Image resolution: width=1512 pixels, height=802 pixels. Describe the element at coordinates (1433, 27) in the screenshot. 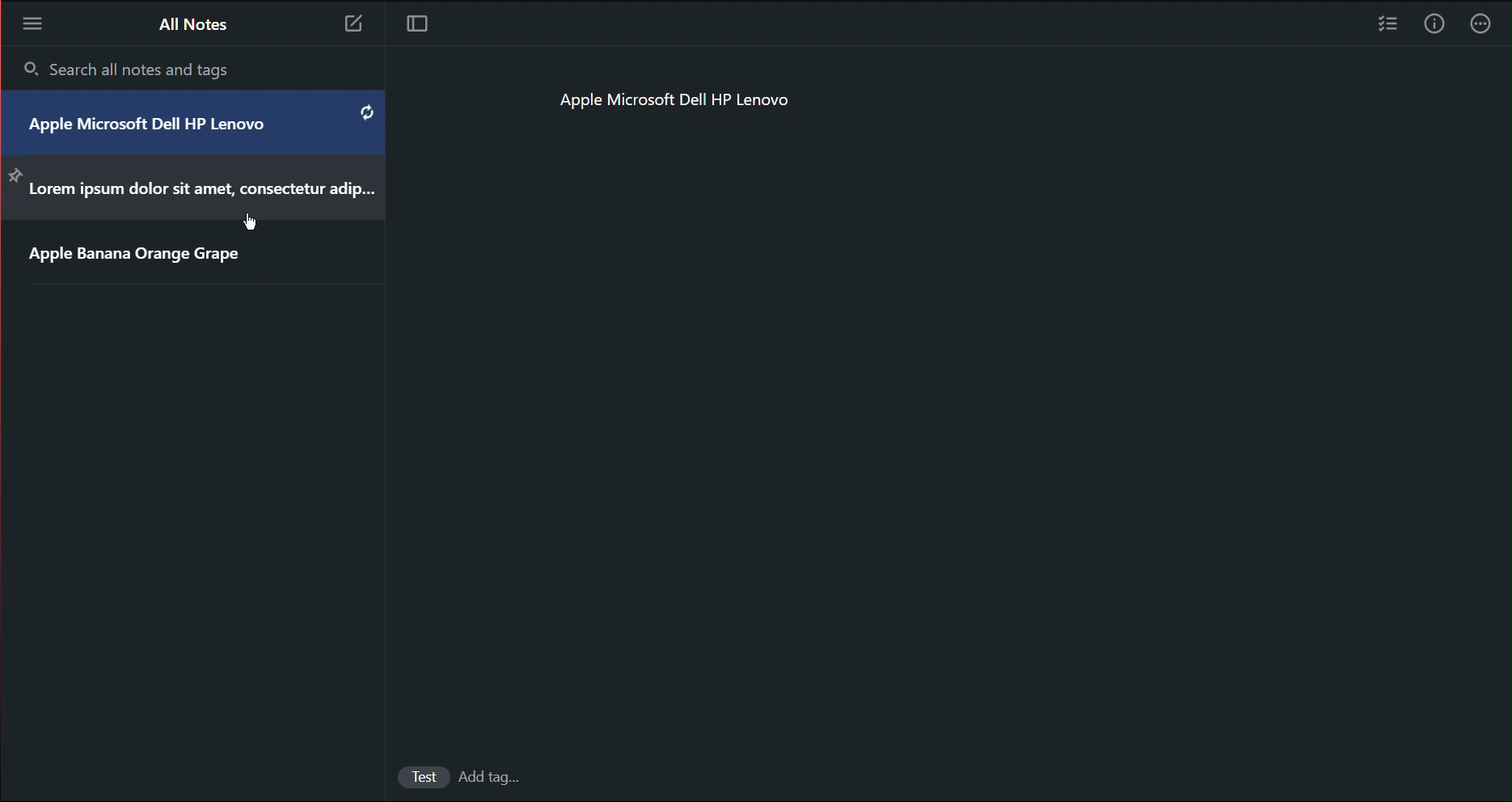

I see `Info` at that location.